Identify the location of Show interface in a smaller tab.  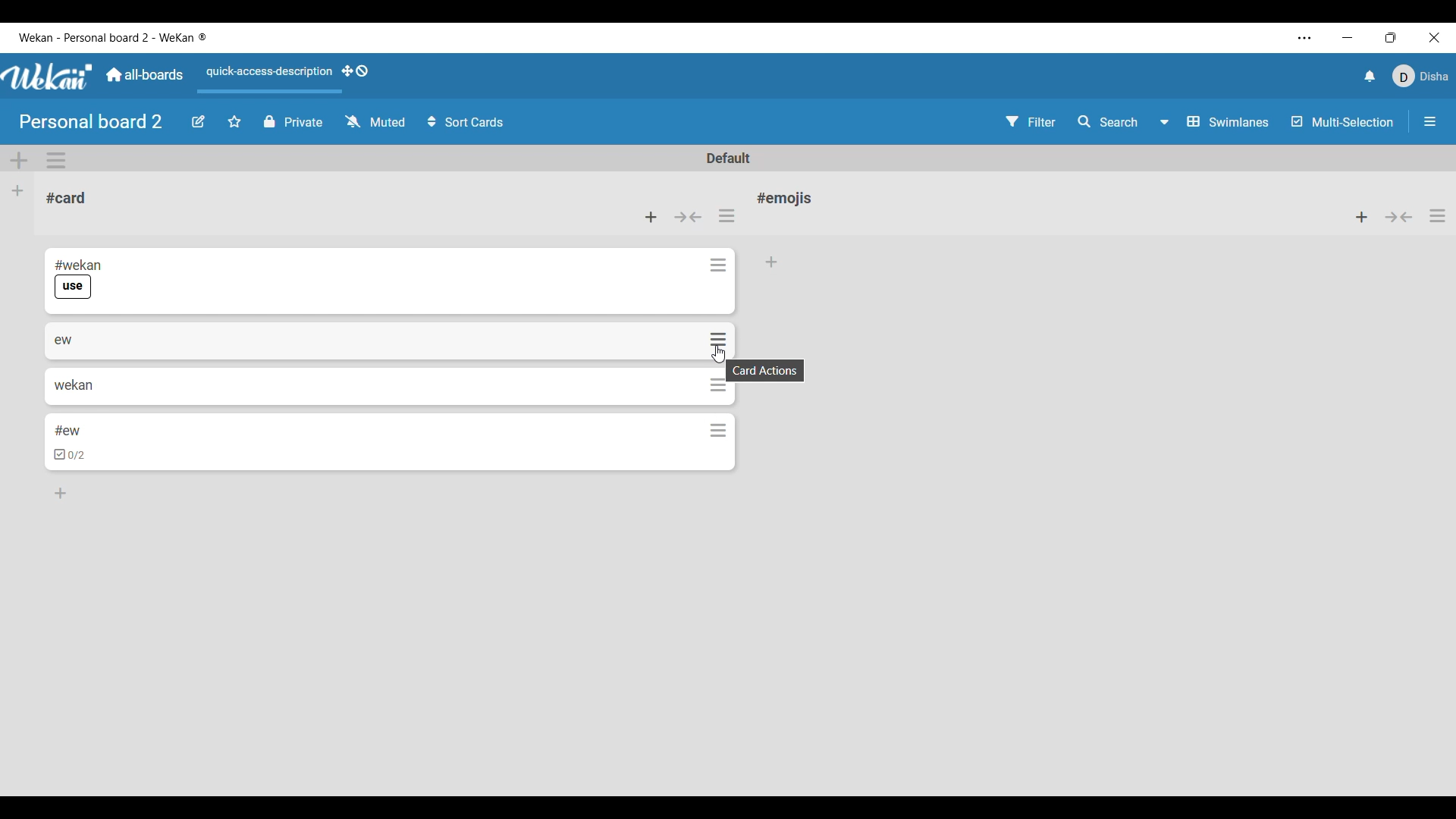
(1391, 37).